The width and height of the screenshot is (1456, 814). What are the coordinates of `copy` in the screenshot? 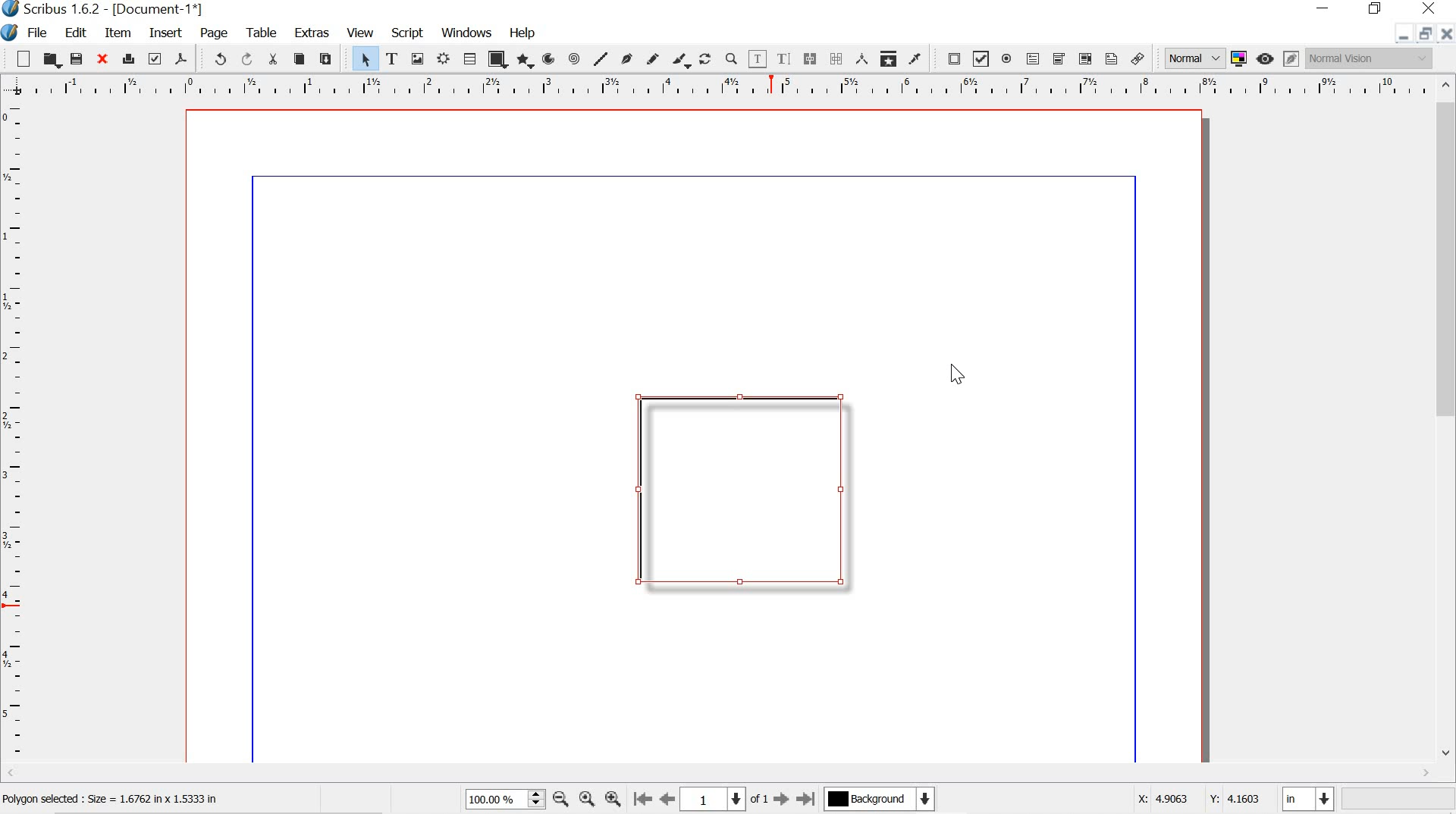 It's located at (300, 59).